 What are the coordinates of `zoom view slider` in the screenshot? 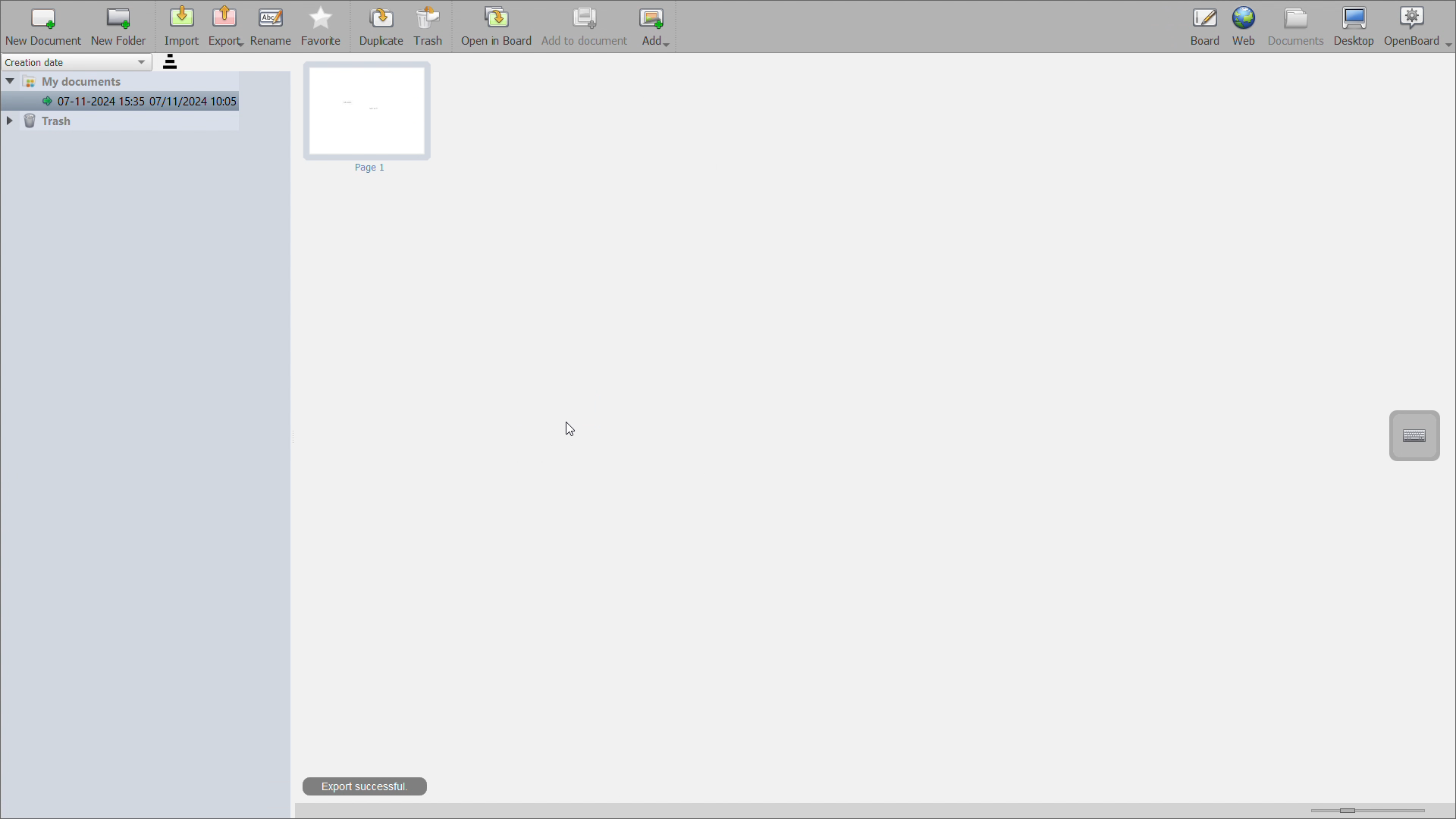 It's located at (1364, 808).